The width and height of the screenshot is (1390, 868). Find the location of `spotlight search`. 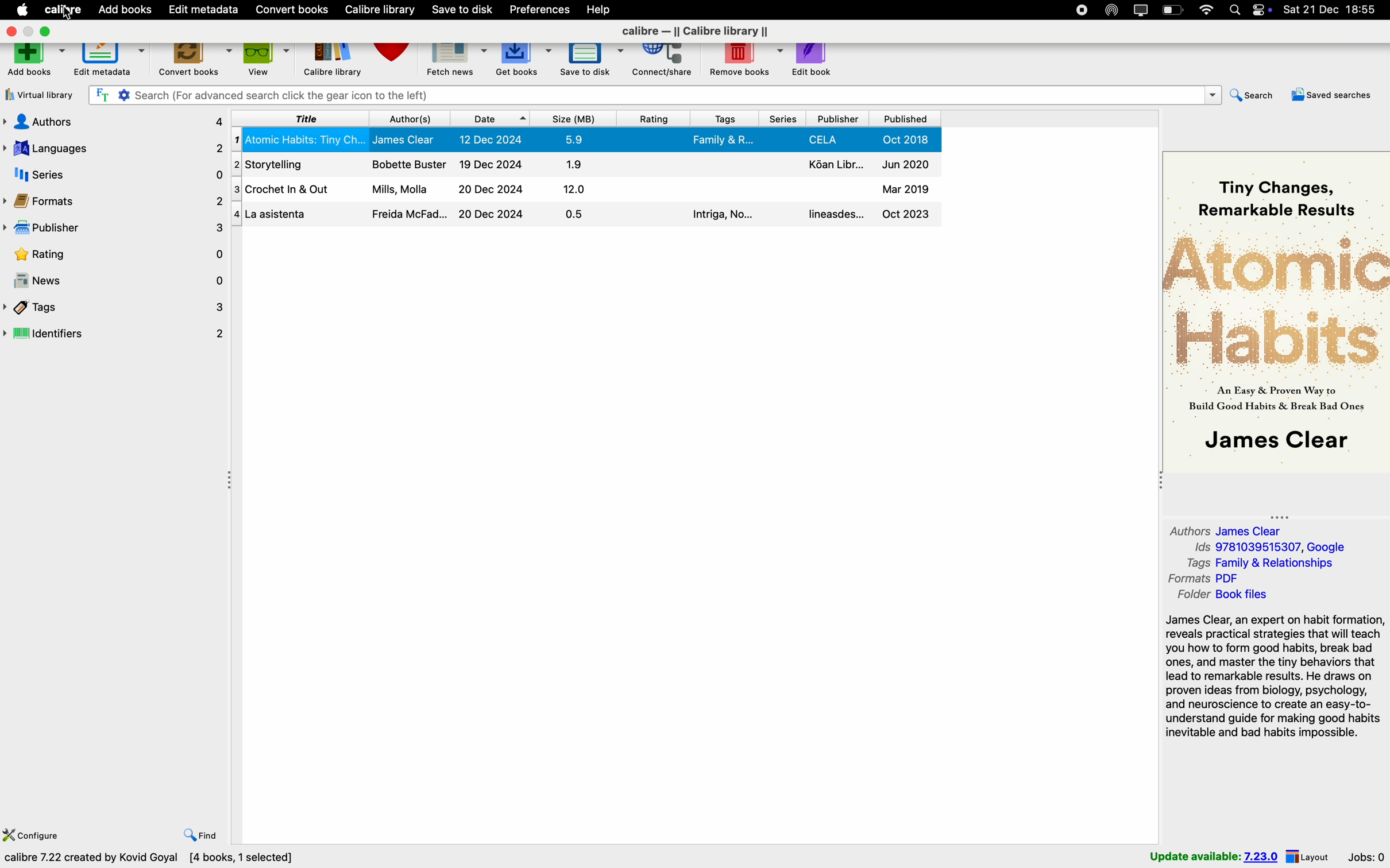

spotlight search is located at coordinates (1237, 9).